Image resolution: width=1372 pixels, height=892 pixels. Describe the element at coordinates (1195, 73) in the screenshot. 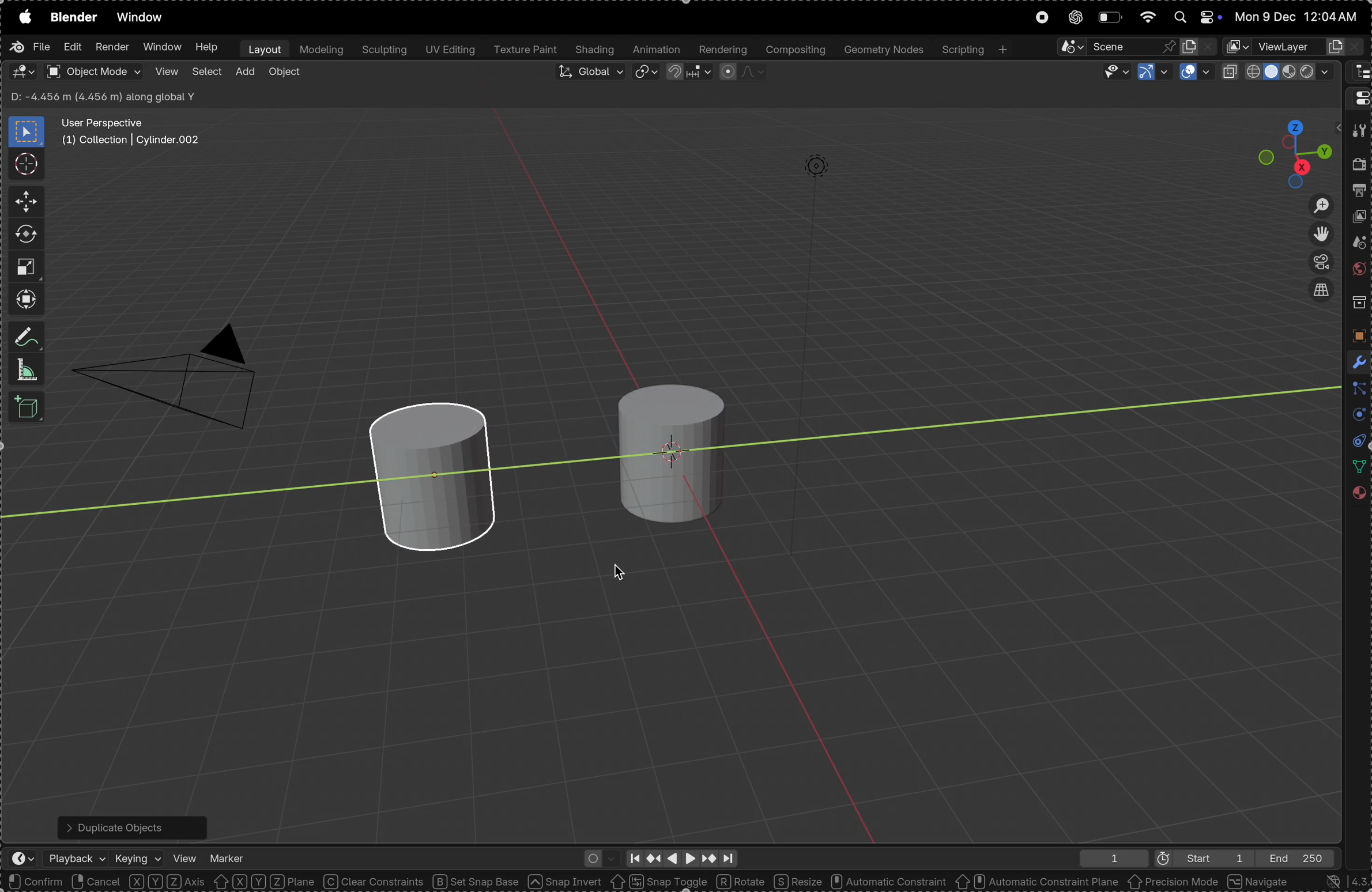

I see `show overlays` at that location.